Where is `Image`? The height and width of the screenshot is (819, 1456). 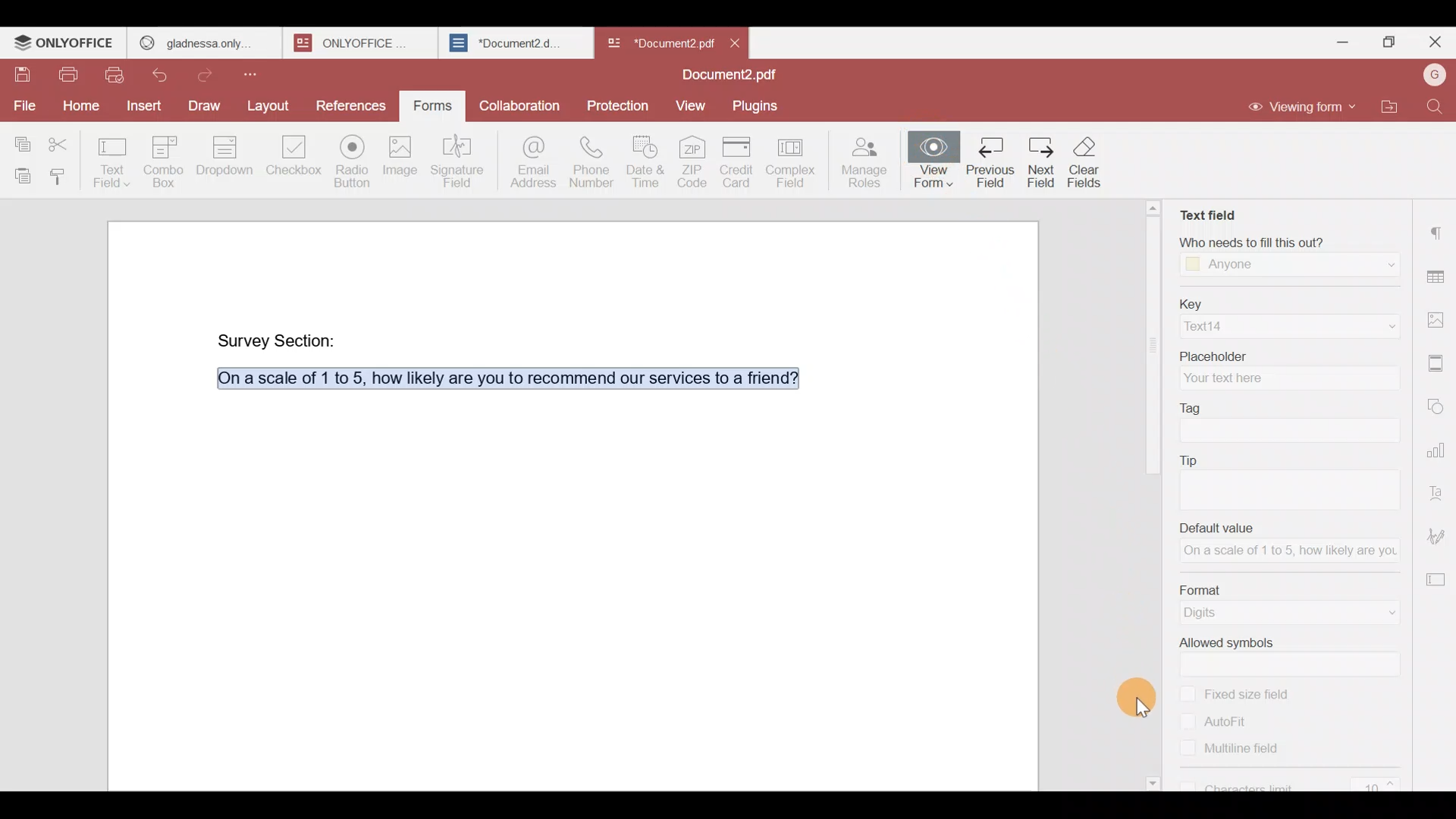 Image is located at coordinates (399, 158).